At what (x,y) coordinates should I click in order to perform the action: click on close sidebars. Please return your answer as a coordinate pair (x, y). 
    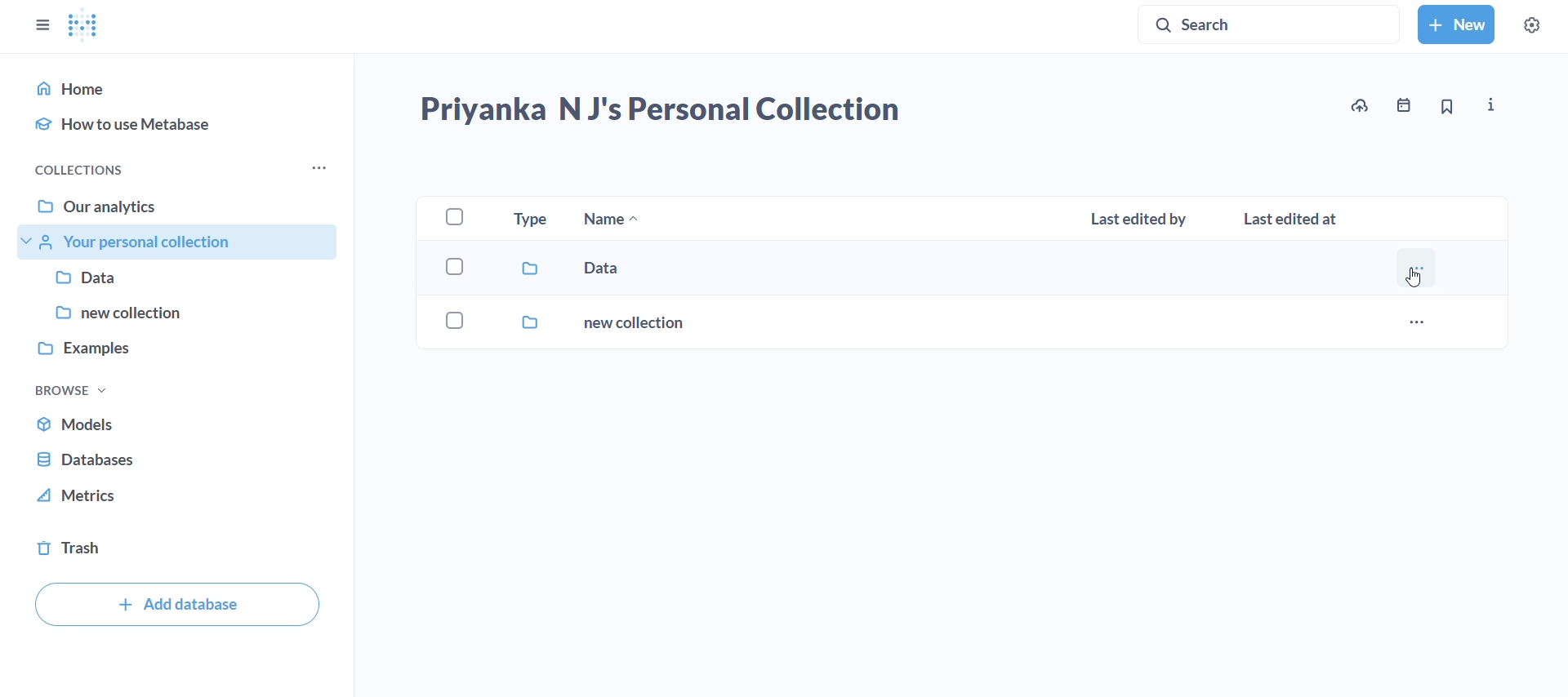
    Looking at the image, I should click on (41, 26).